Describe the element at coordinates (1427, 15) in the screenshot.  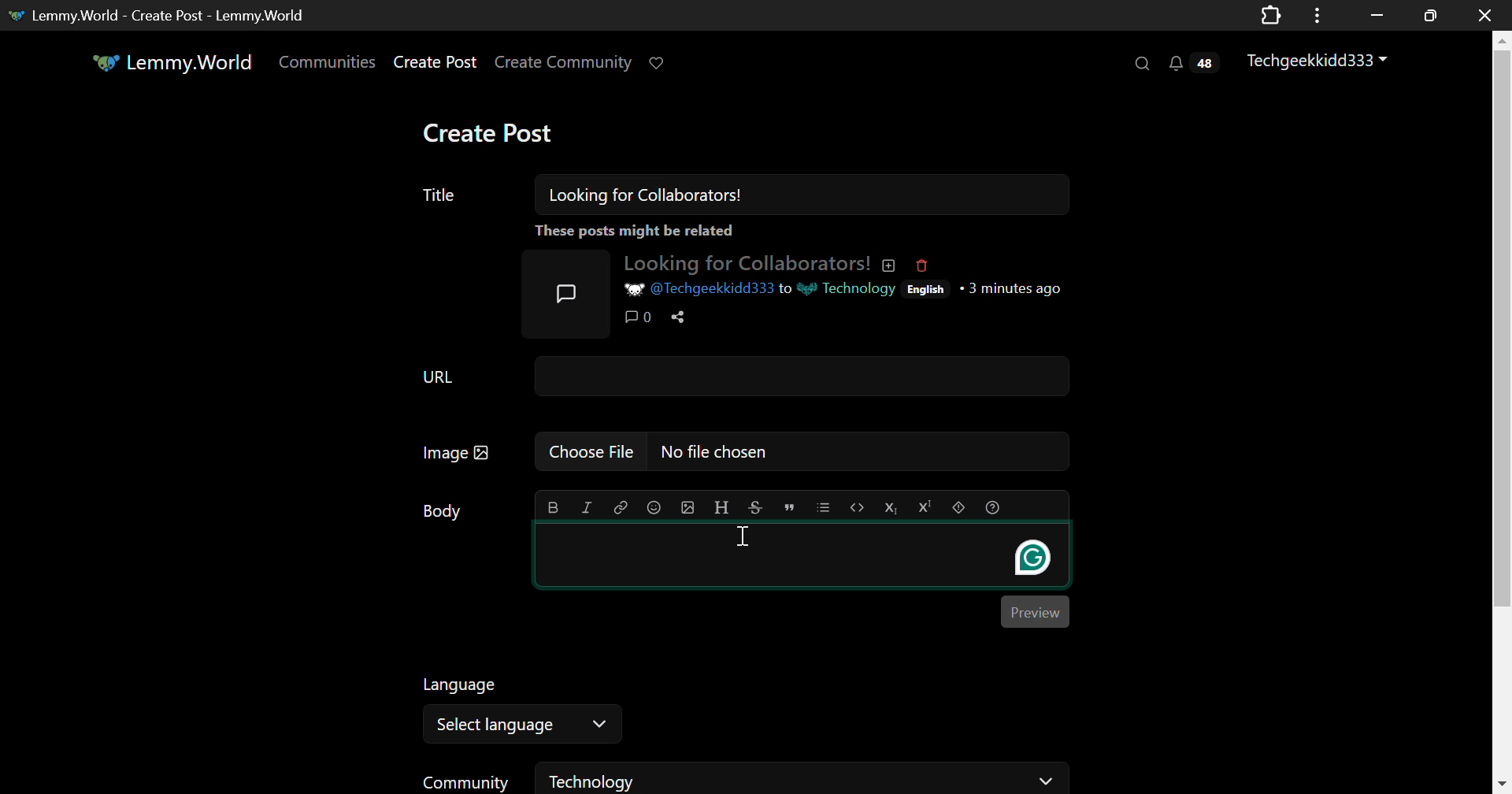
I see `Minimize Window` at that location.